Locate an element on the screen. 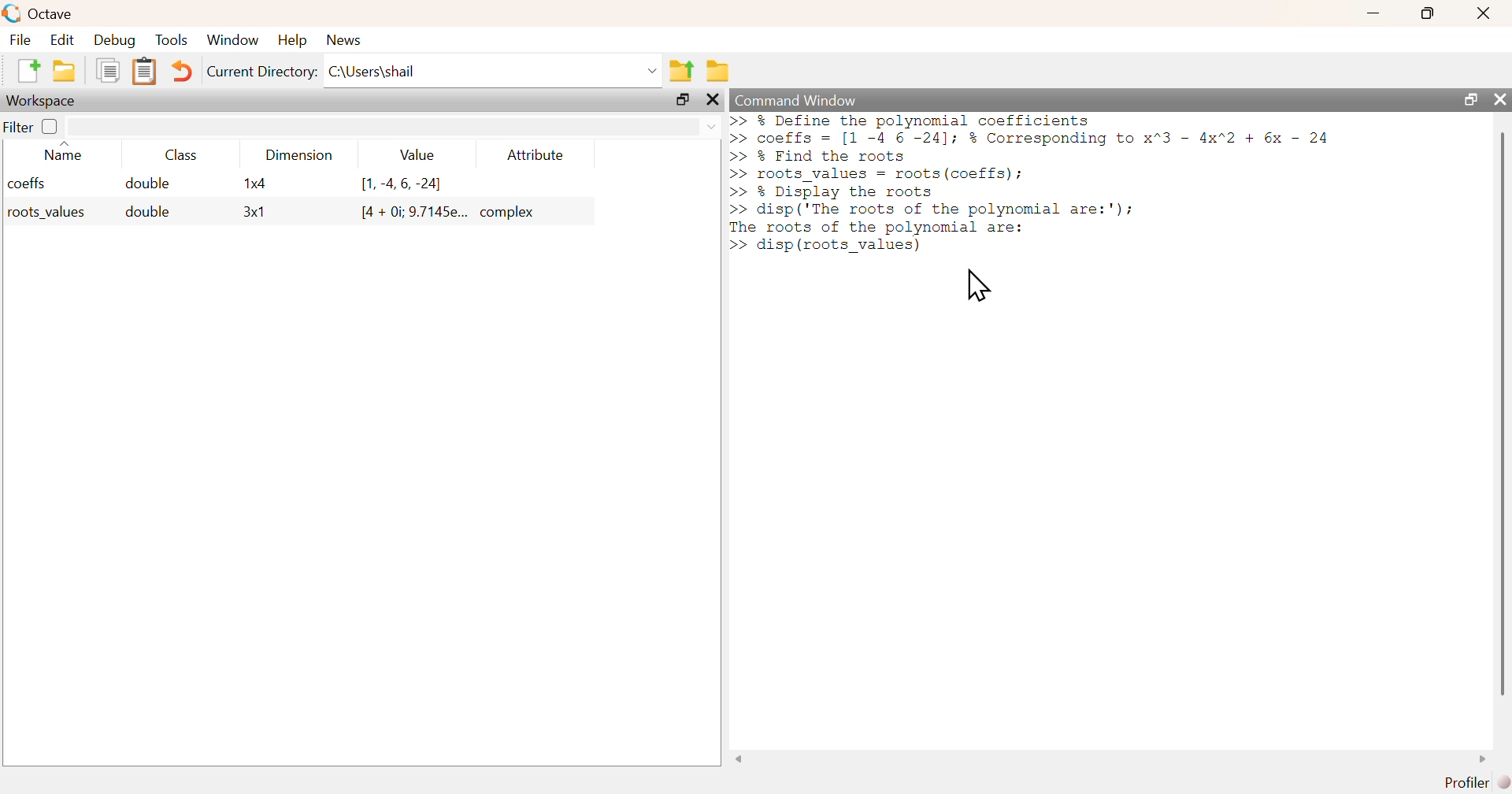 This screenshot has width=1512, height=794. Class is located at coordinates (176, 154).